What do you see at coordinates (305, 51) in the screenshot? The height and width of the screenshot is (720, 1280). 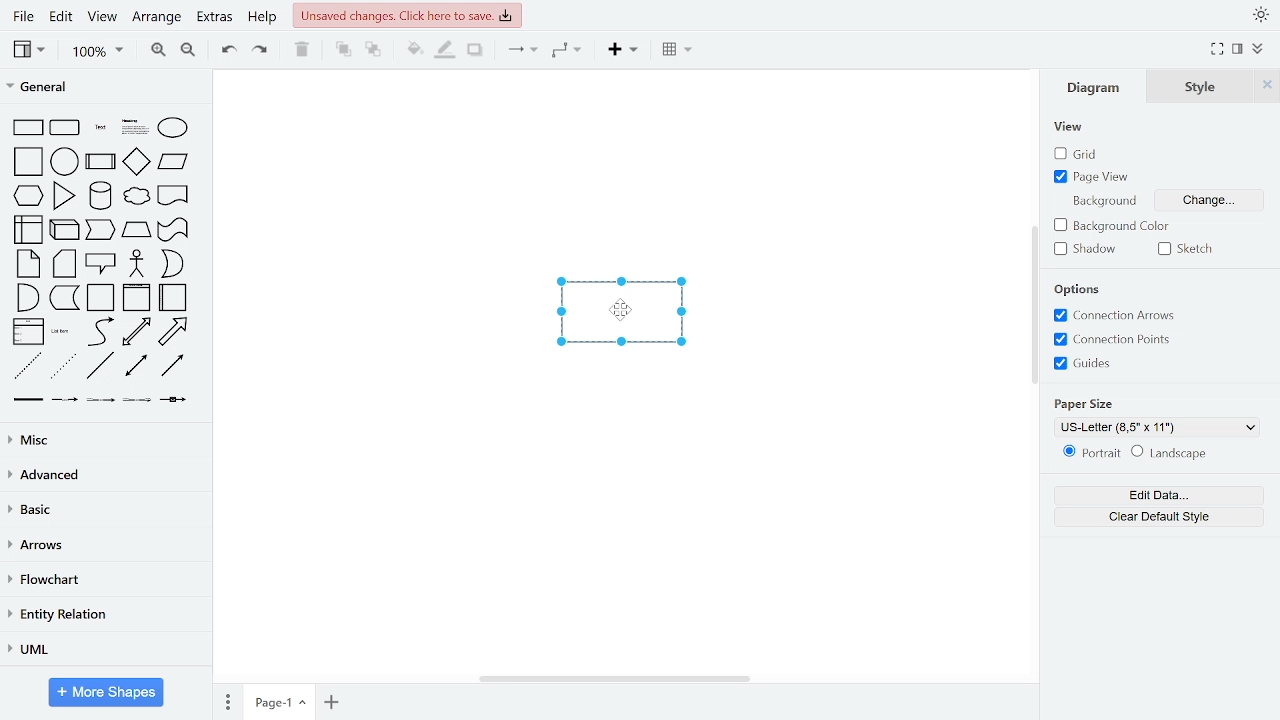 I see `delete` at bounding box center [305, 51].